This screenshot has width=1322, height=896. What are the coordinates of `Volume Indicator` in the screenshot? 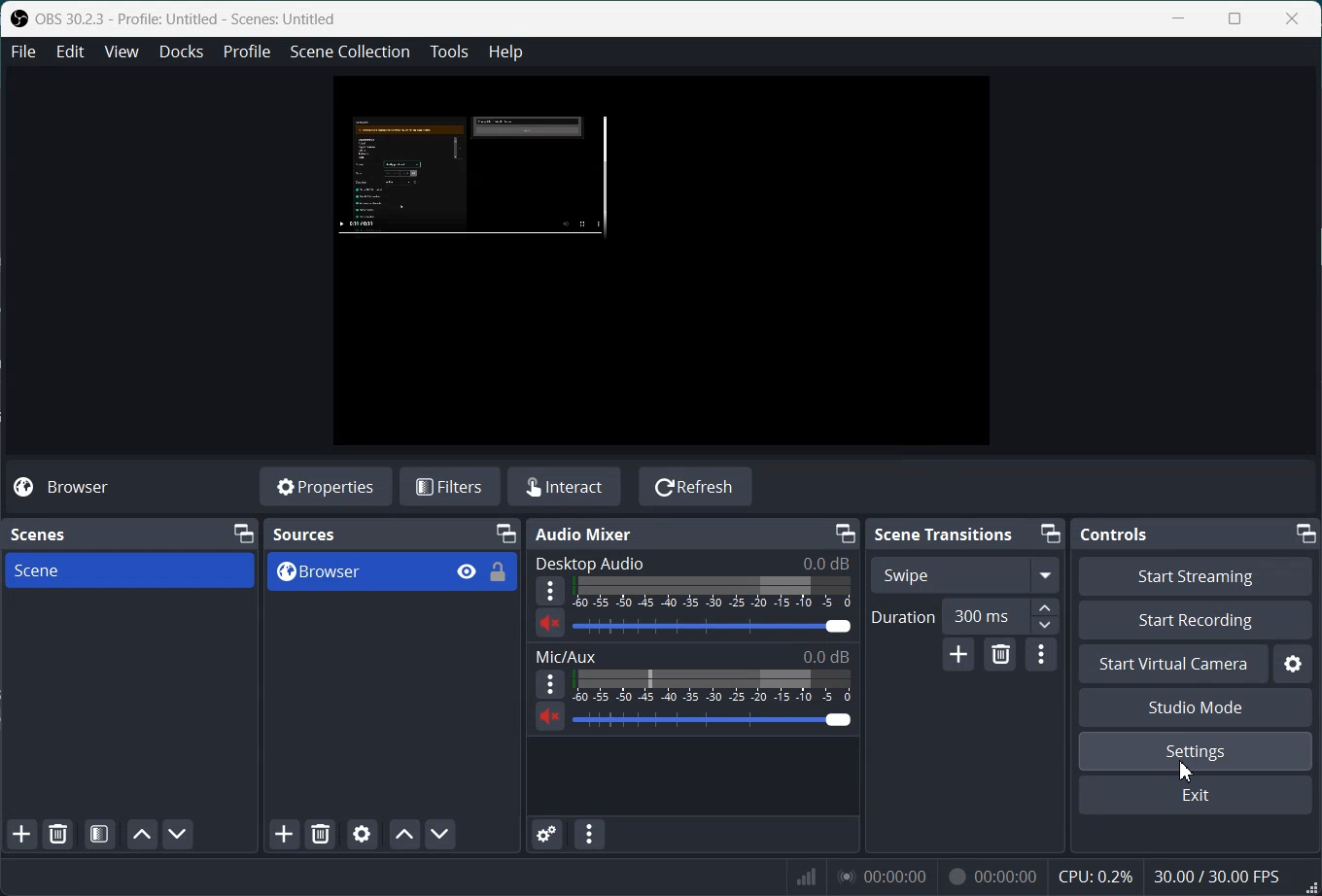 It's located at (713, 593).